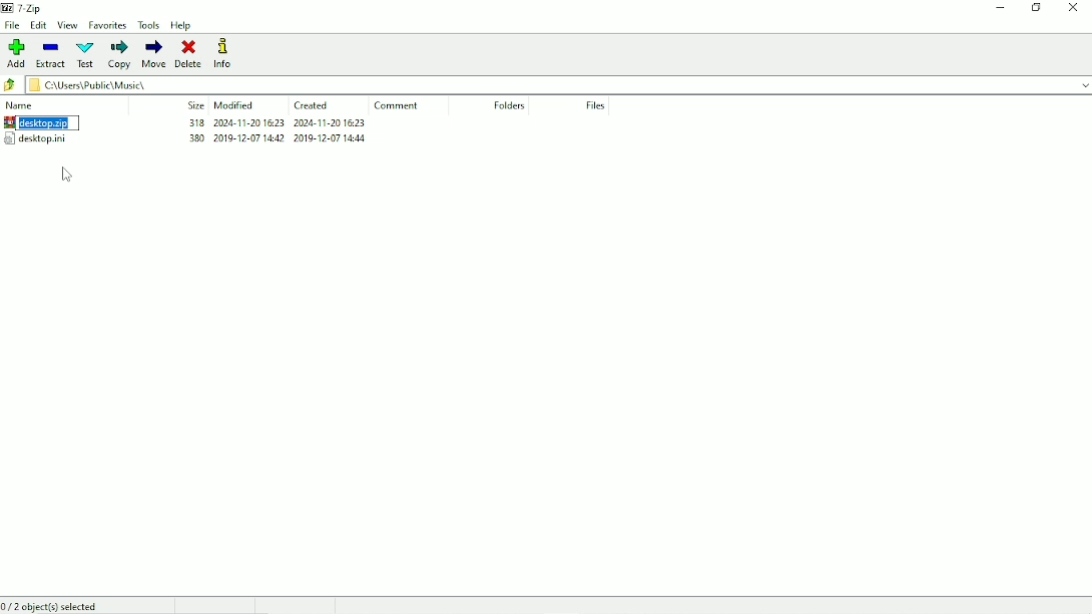  I want to click on Close, so click(1074, 8).